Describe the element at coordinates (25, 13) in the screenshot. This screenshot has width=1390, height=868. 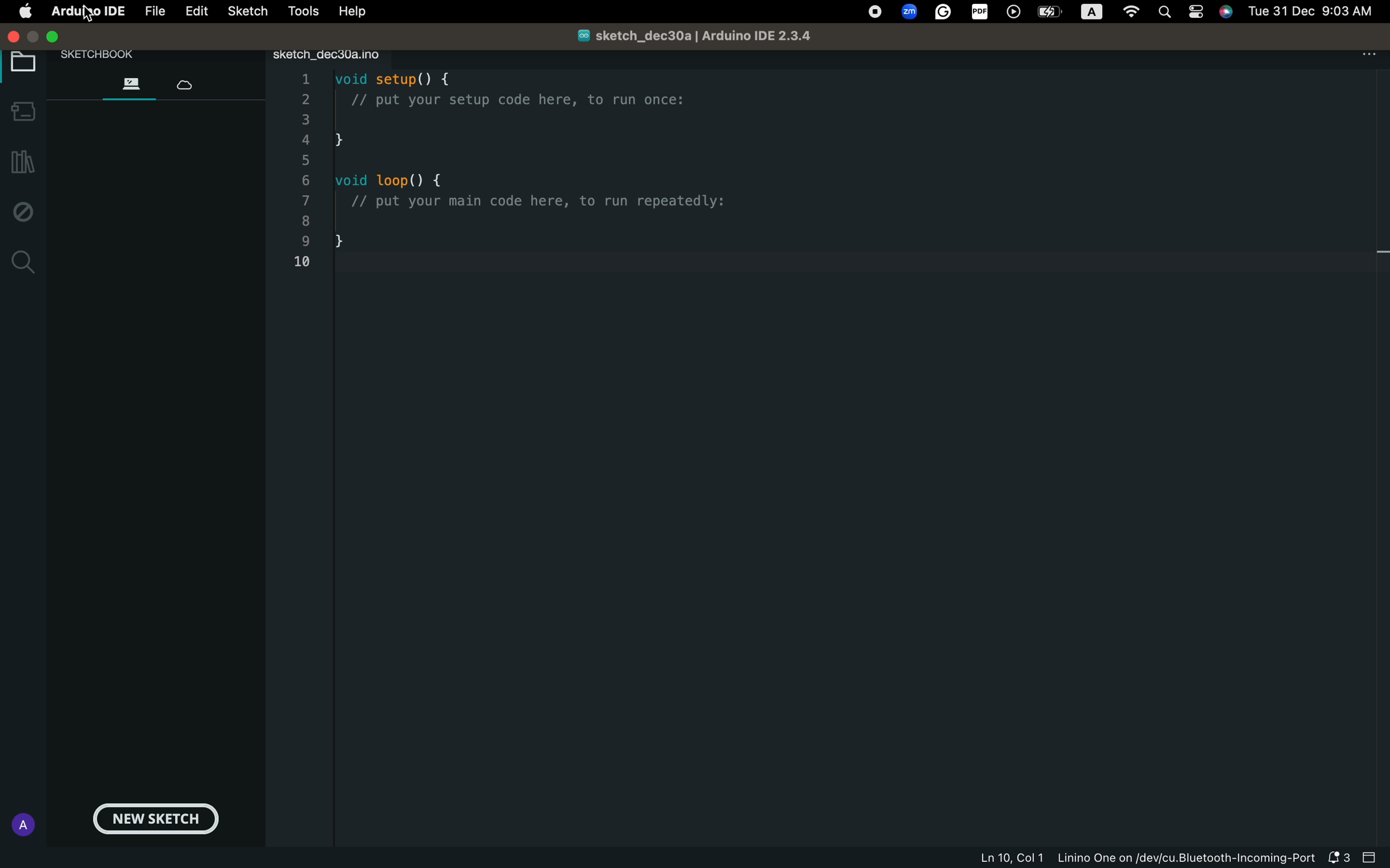
I see `main setting` at that location.